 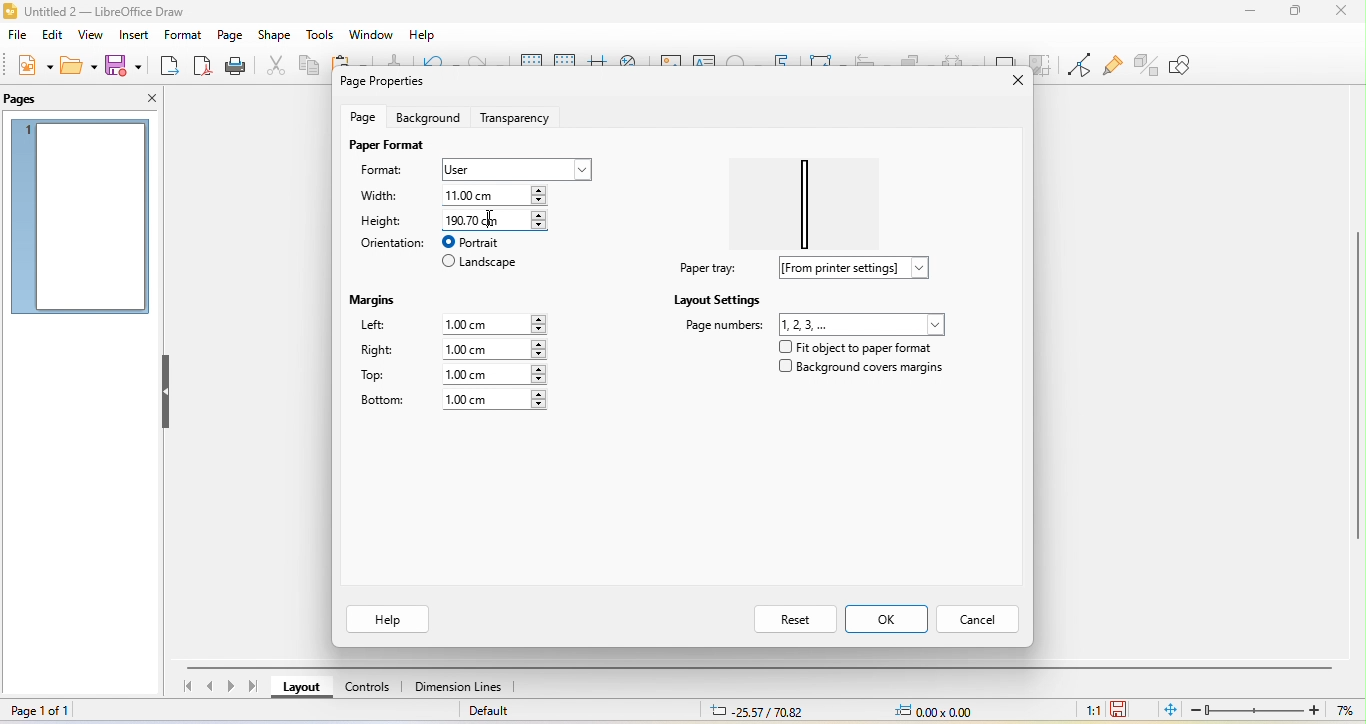 I want to click on from printer settings, so click(x=862, y=268).